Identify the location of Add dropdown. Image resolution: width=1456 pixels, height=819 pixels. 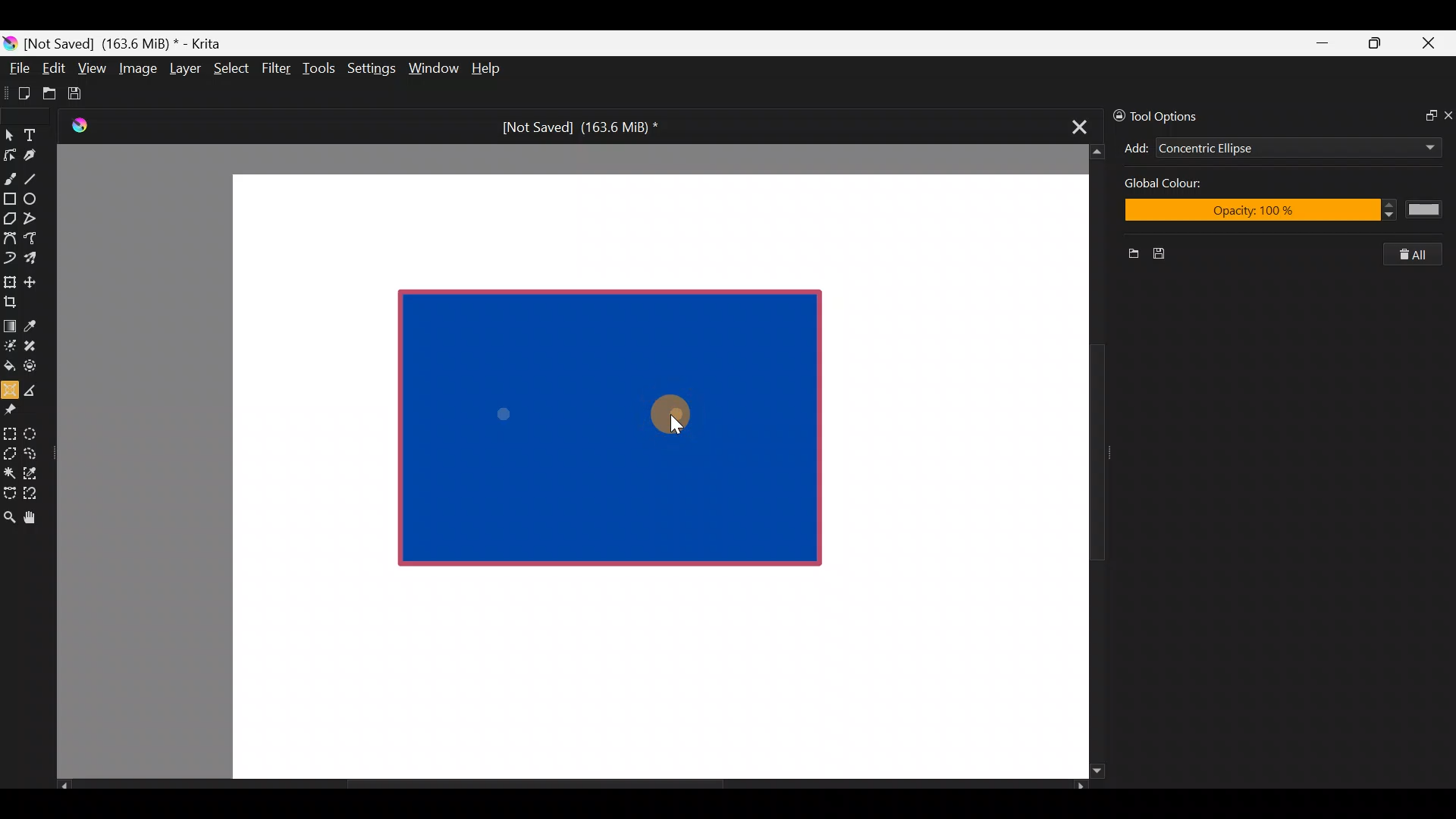
(1410, 147).